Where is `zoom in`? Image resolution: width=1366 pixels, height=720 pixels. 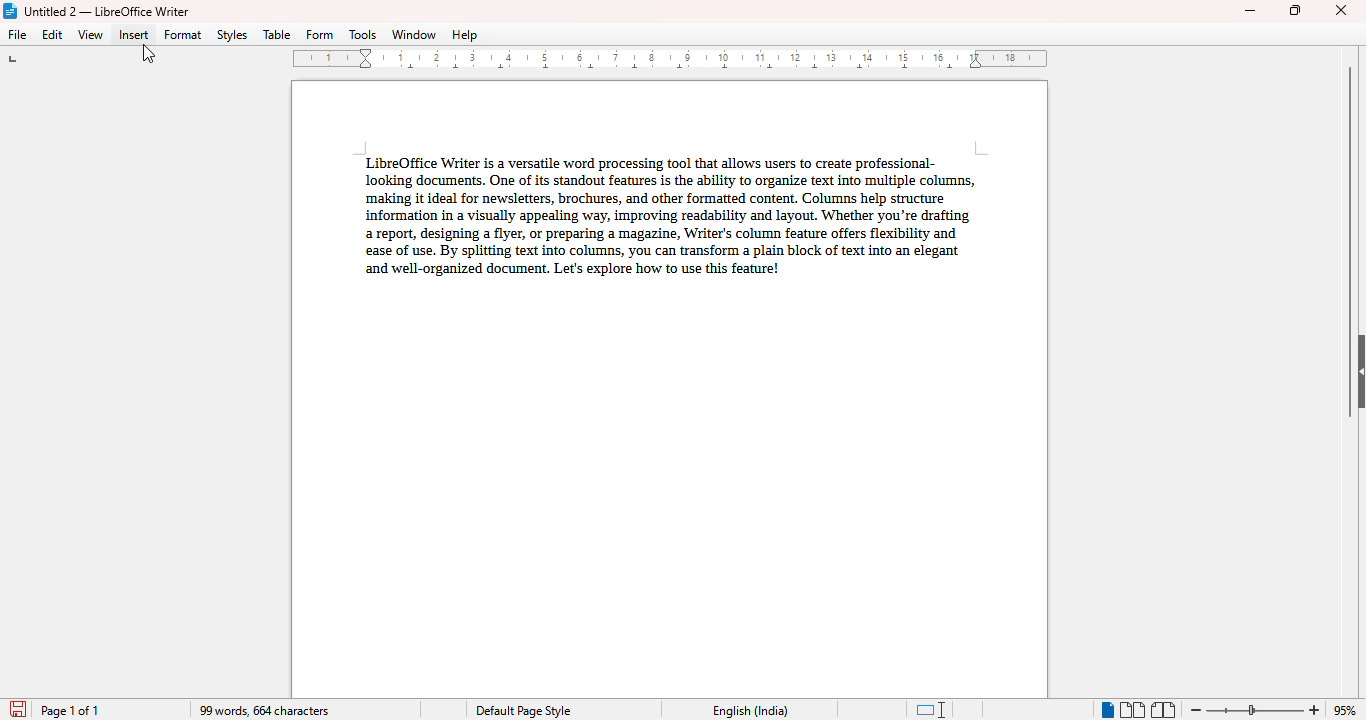 zoom in is located at coordinates (1315, 709).